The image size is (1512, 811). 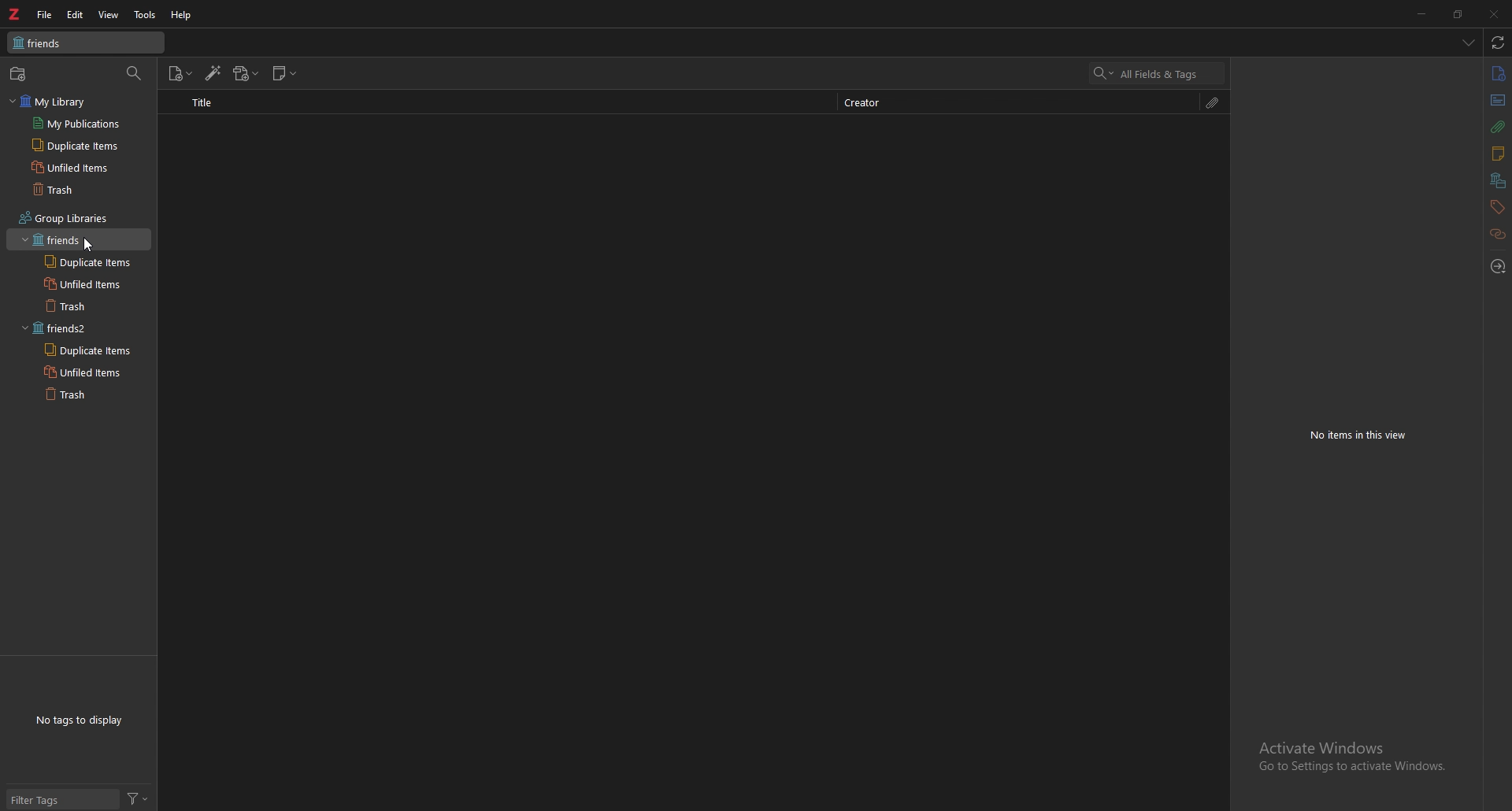 I want to click on trash, so click(x=91, y=305).